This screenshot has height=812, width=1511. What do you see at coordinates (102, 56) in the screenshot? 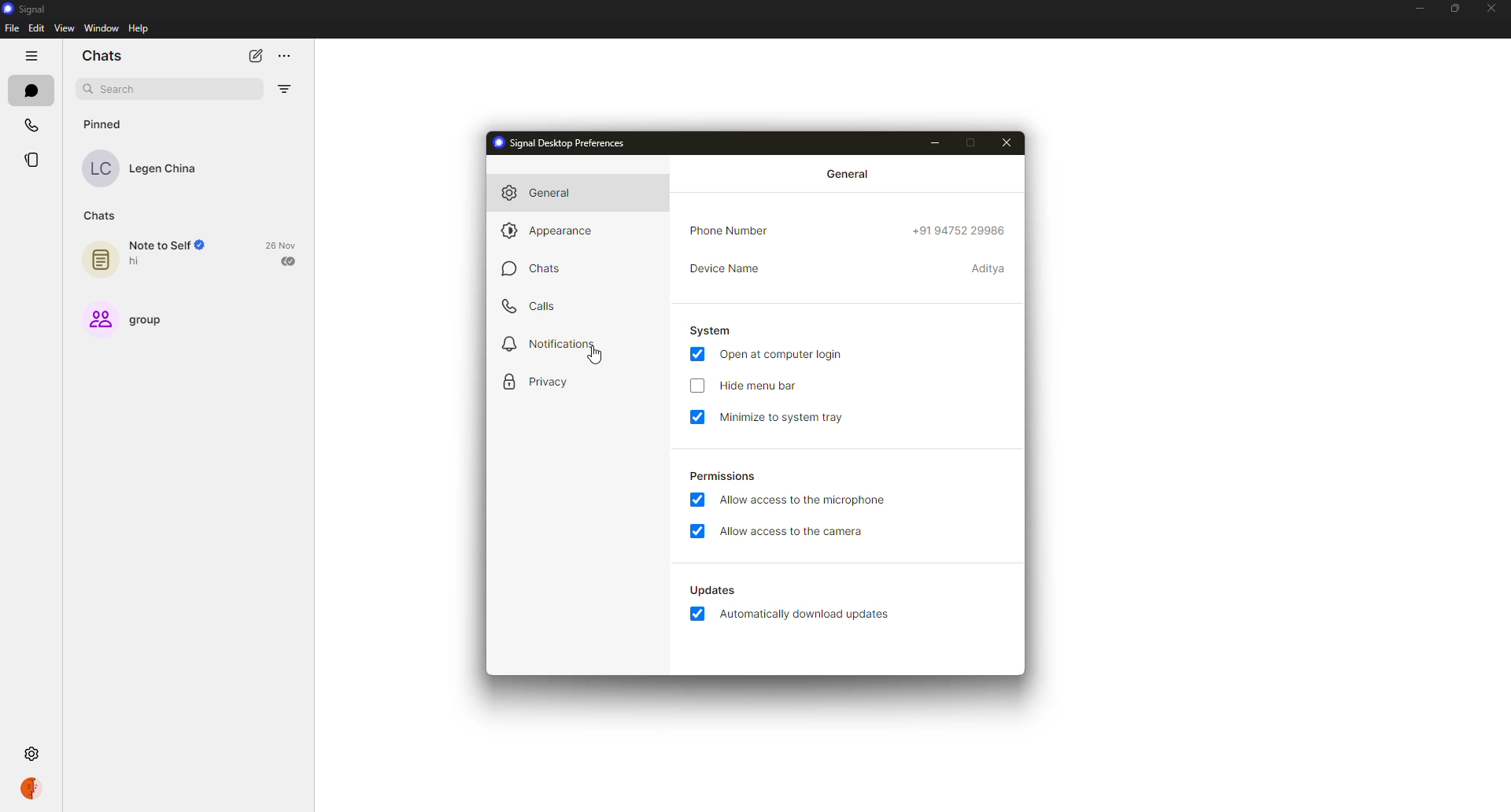
I see `chats` at bounding box center [102, 56].